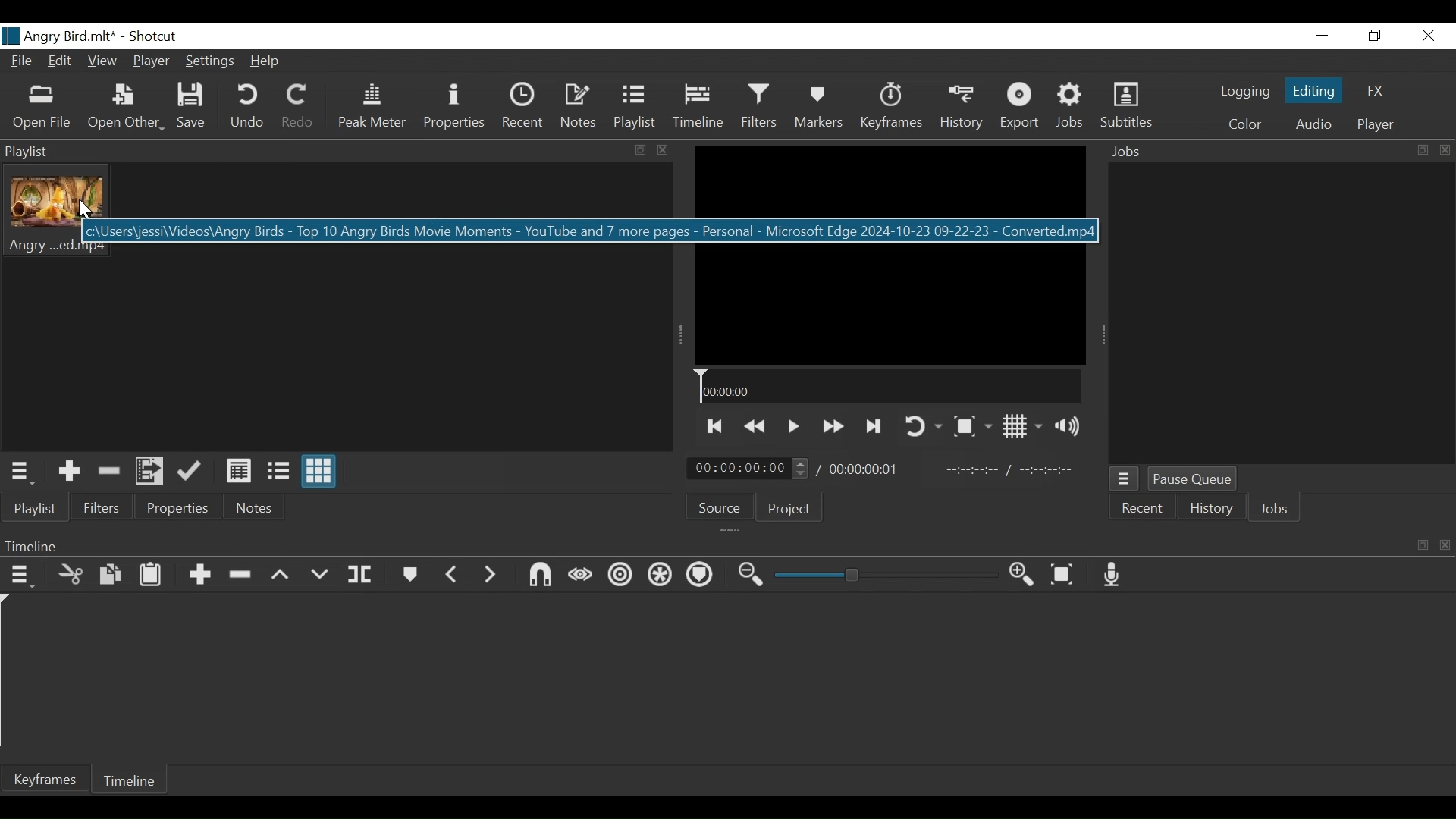 Image resolution: width=1456 pixels, height=819 pixels. I want to click on Filters, so click(102, 505).